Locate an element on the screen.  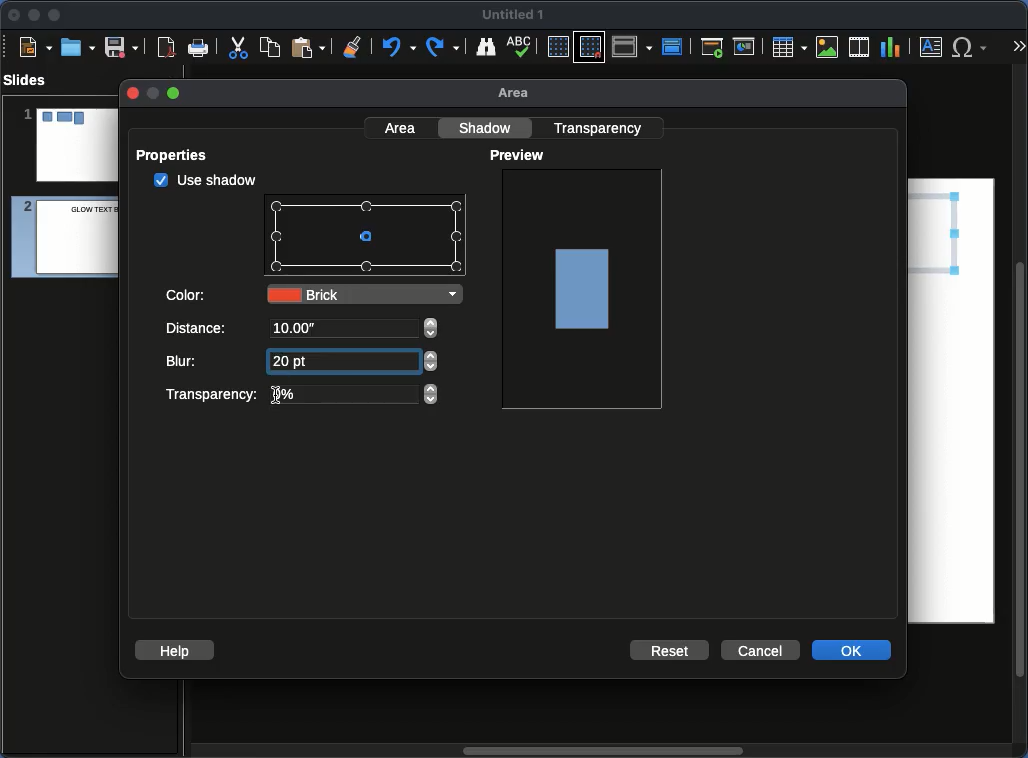
Save is located at coordinates (123, 46).